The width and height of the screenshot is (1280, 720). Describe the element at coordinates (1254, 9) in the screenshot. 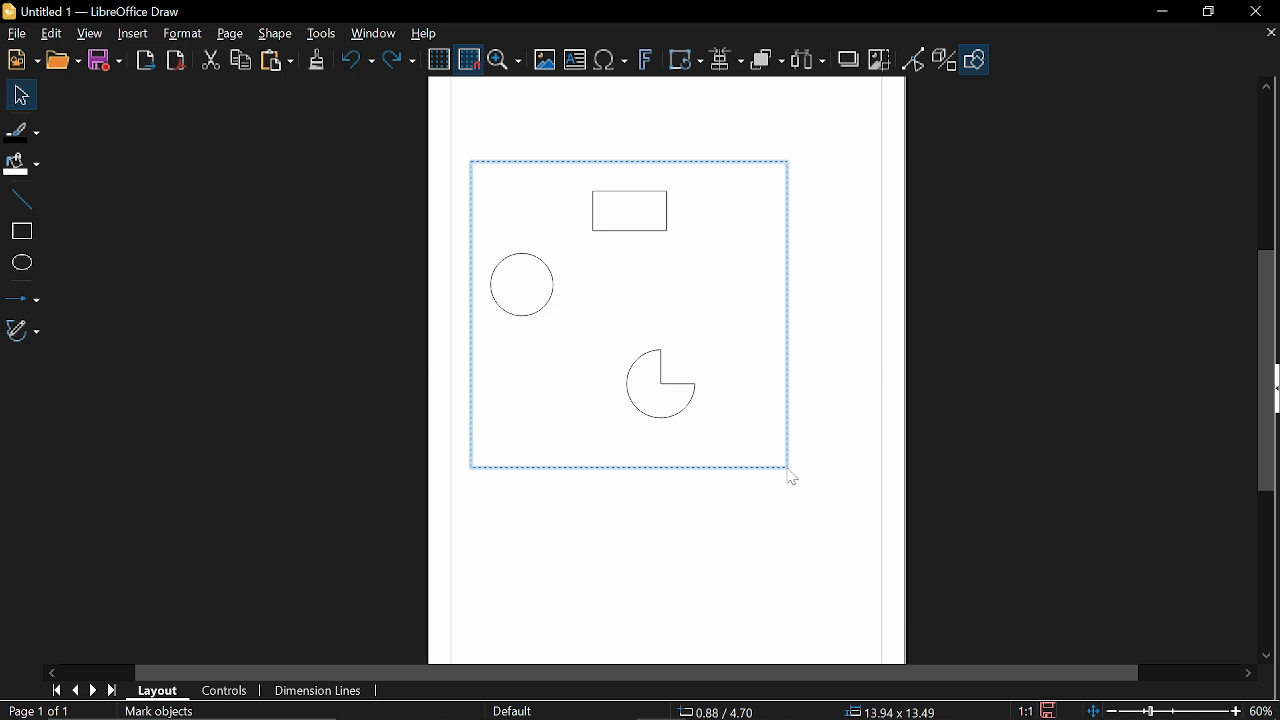

I see `Close window` at that location.